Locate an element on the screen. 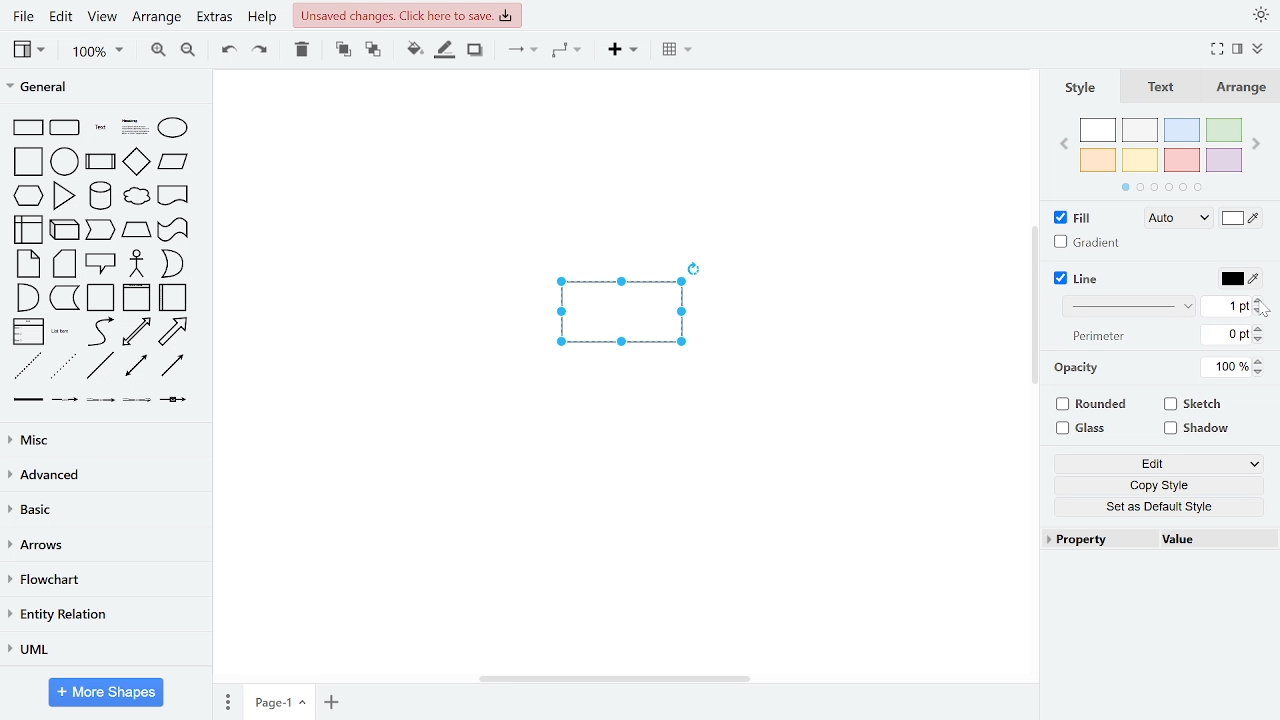 Image resolution: width=1280 pixels, height=720 pixels. more shapes is located at coordinates (106, 692).